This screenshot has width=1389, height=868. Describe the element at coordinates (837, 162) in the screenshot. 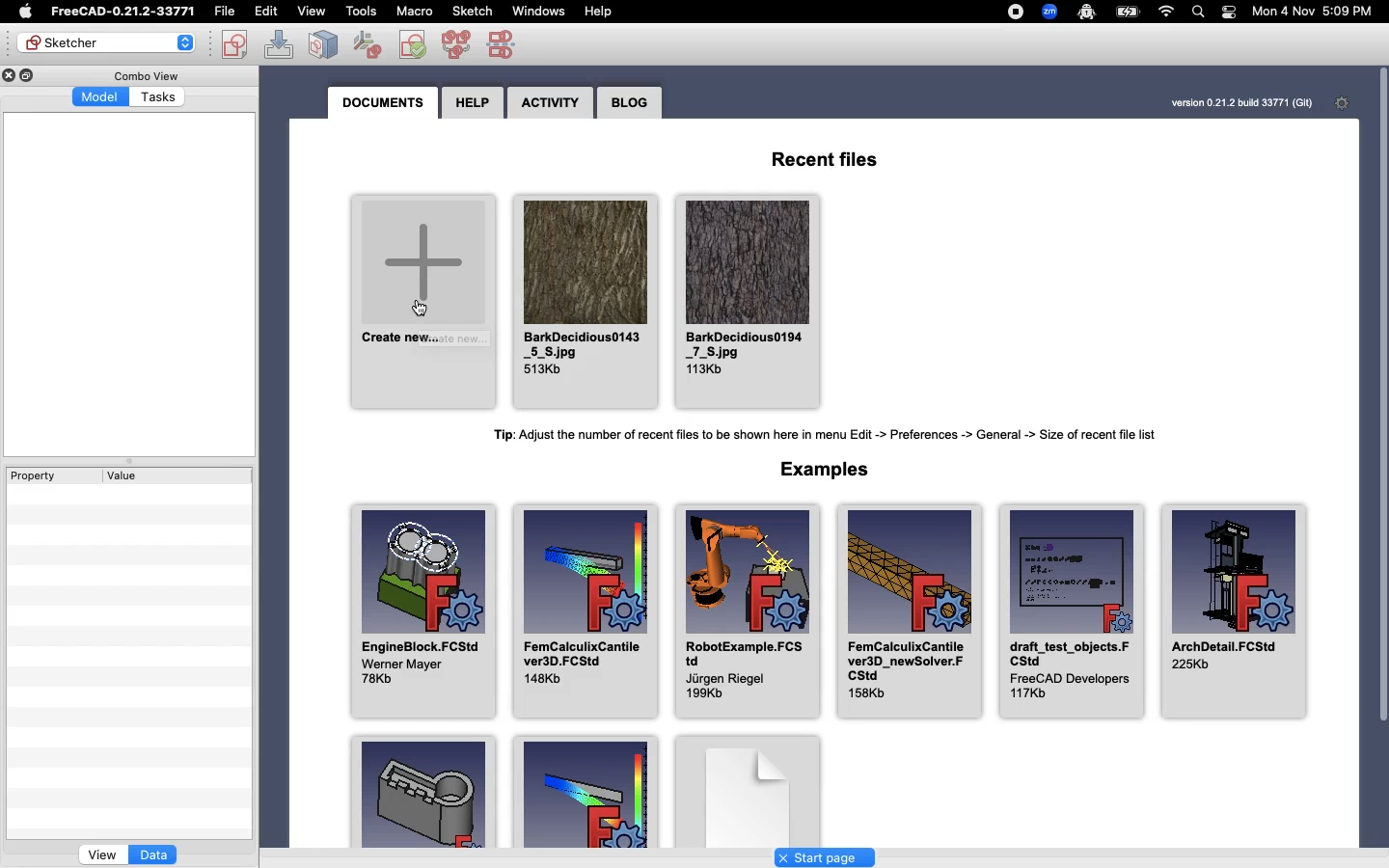

I see `Recent files` at that location.